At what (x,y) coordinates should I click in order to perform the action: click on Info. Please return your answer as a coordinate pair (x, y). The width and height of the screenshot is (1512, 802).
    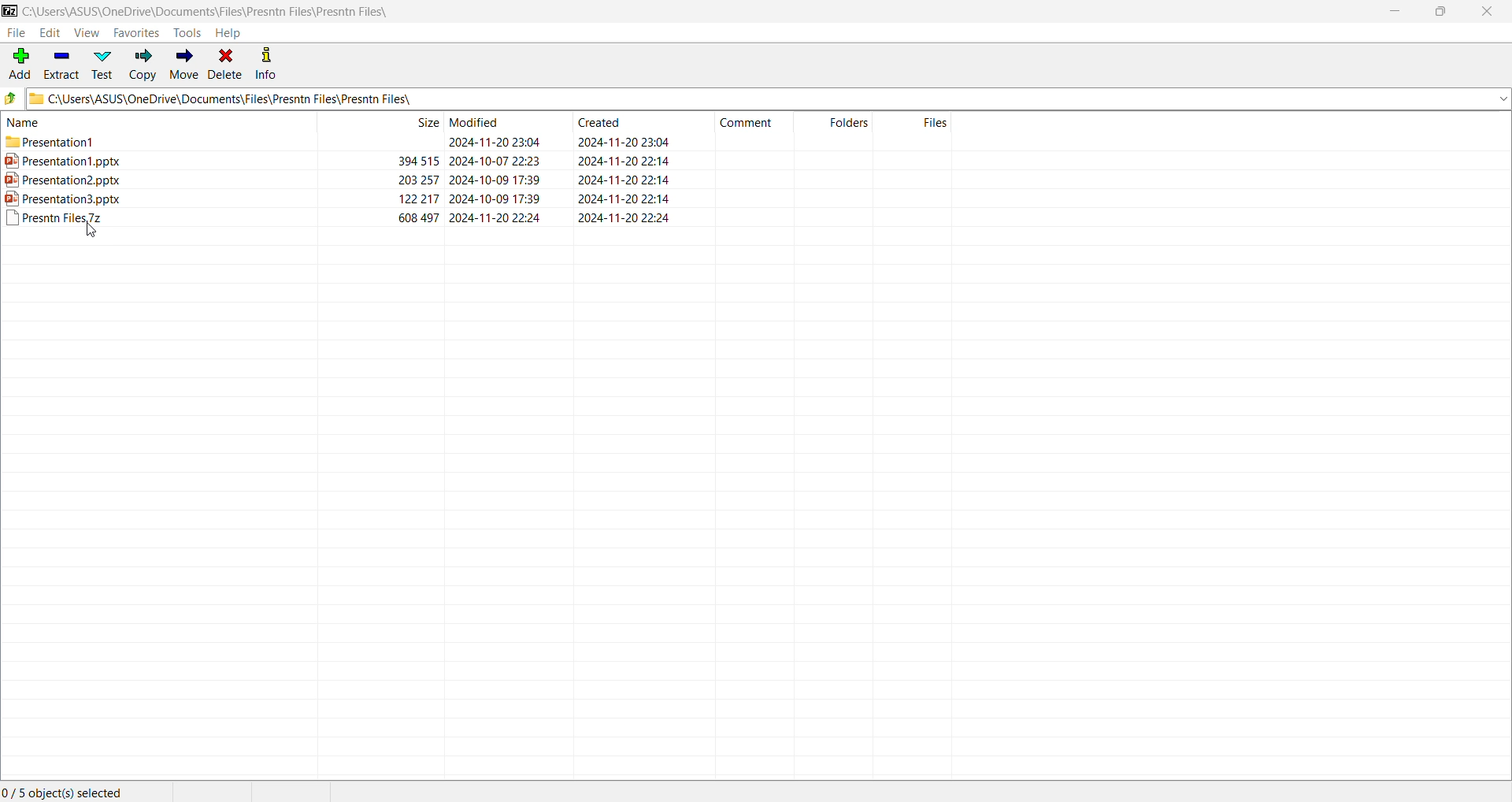
    Looking at the image, I should click on (265, 66).